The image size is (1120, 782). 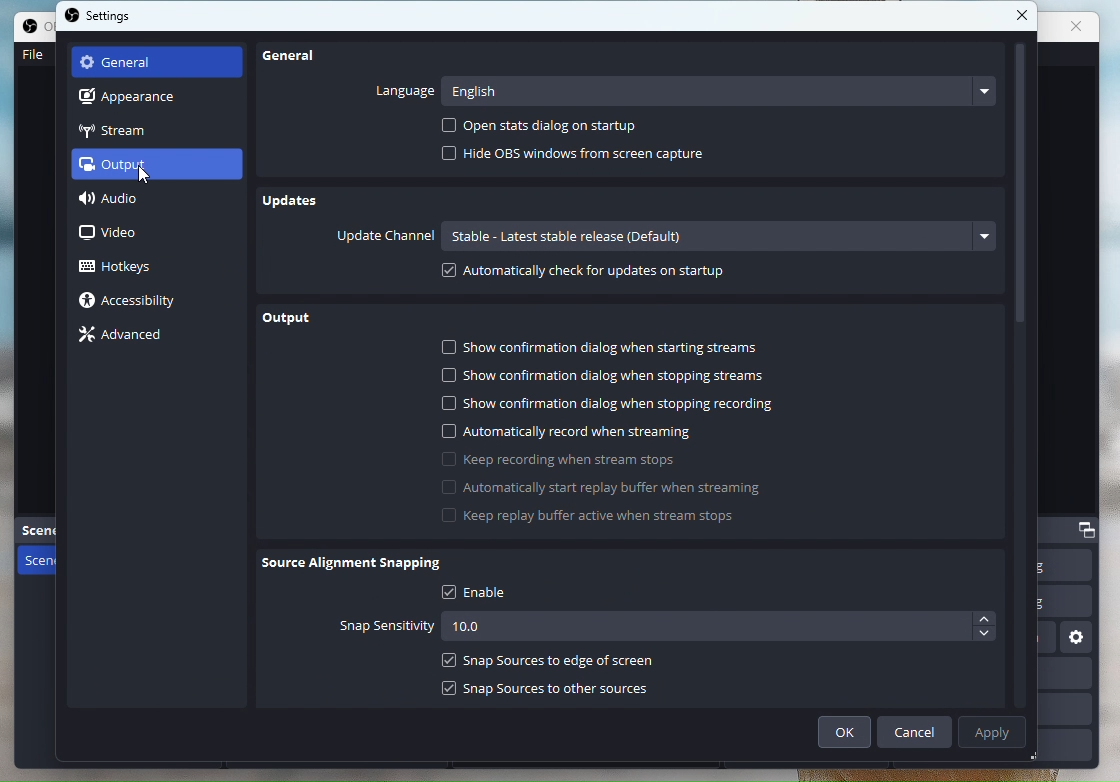 What do you see at coordinates (135, 175) in the screenshot?
I see `cursor` at bounding box center [135, 175].